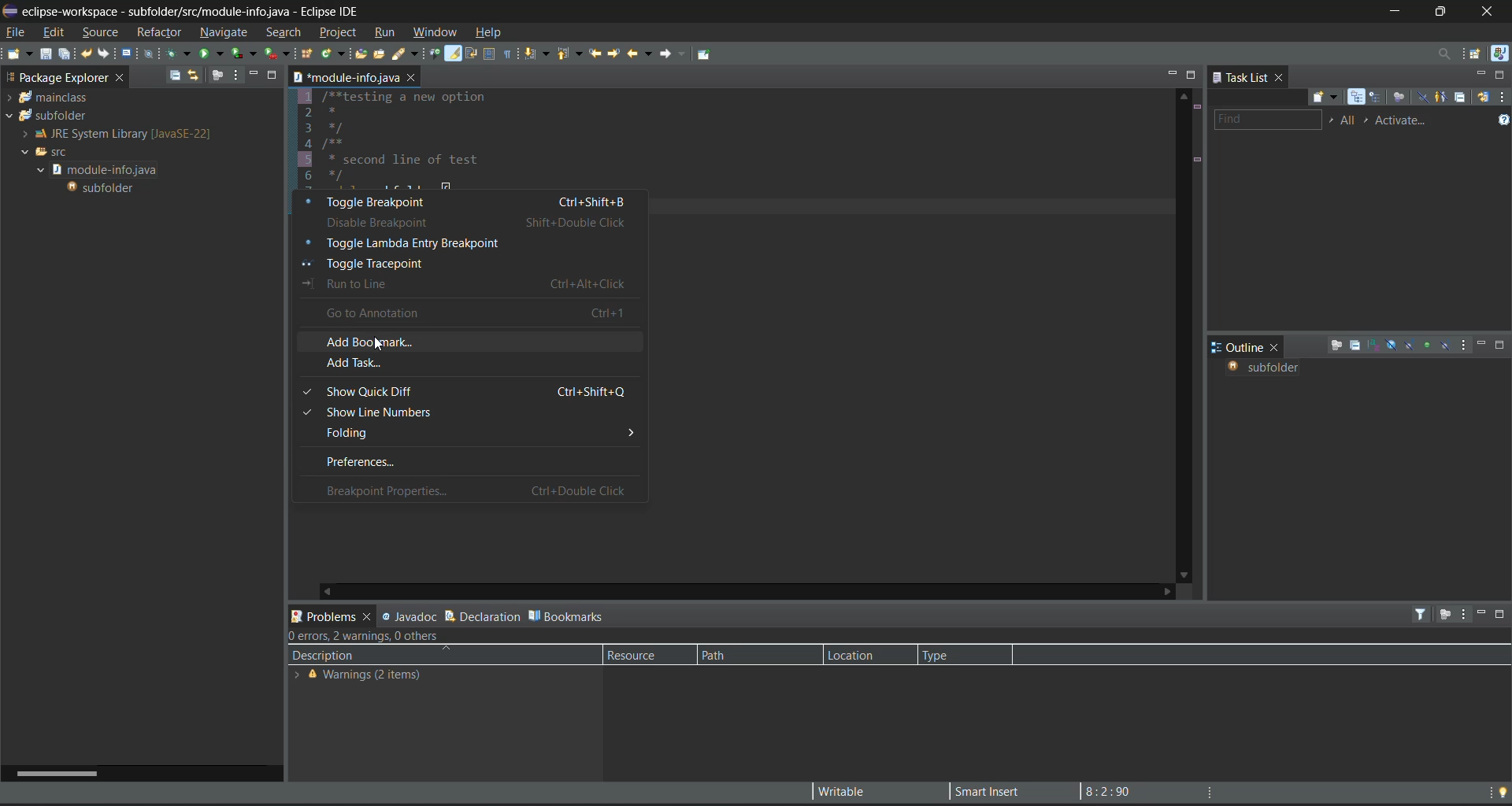  I want to click on mainclass, so click(53, 100).